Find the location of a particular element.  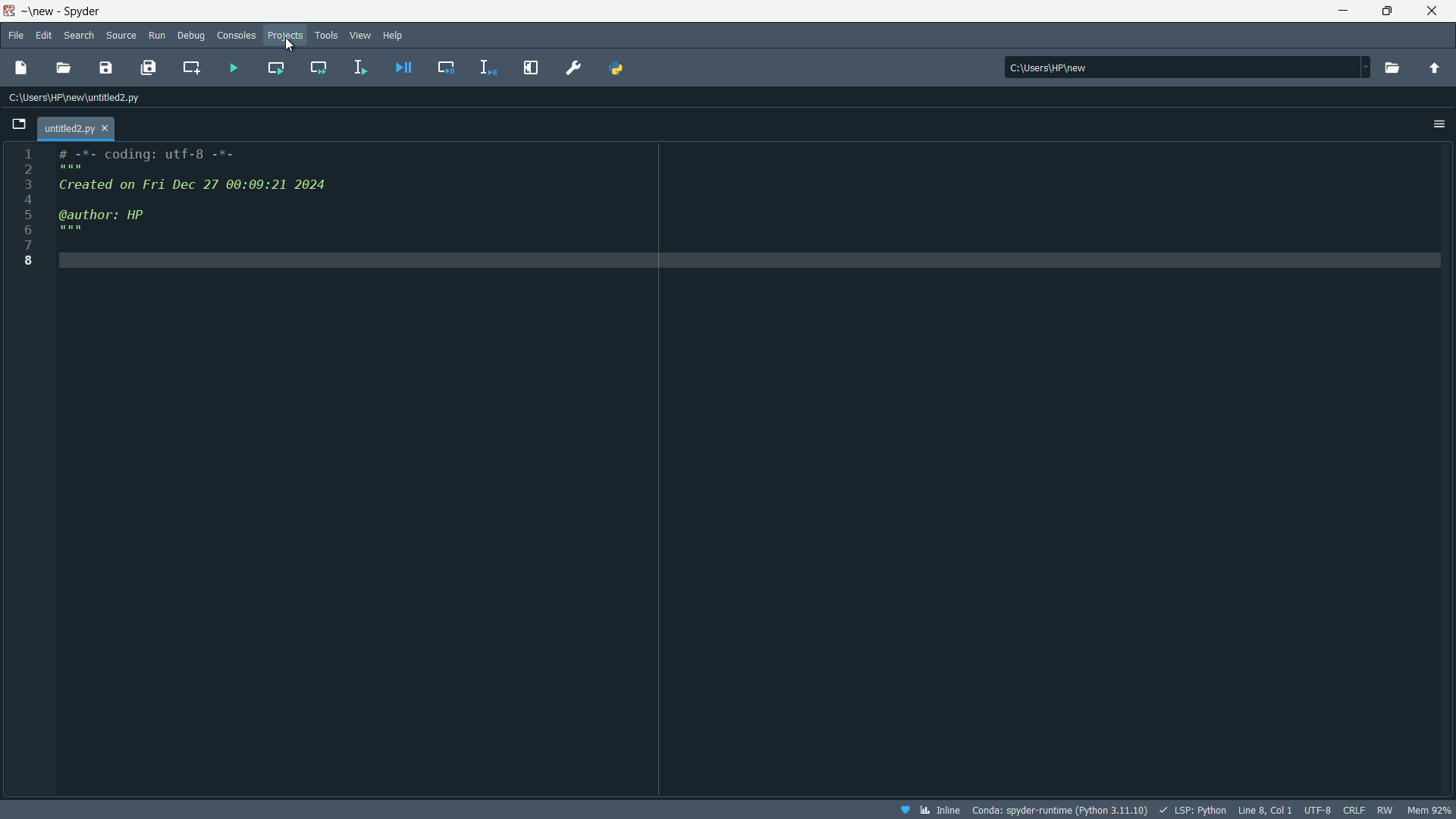

line numbers is located at coordinates (28, 208).